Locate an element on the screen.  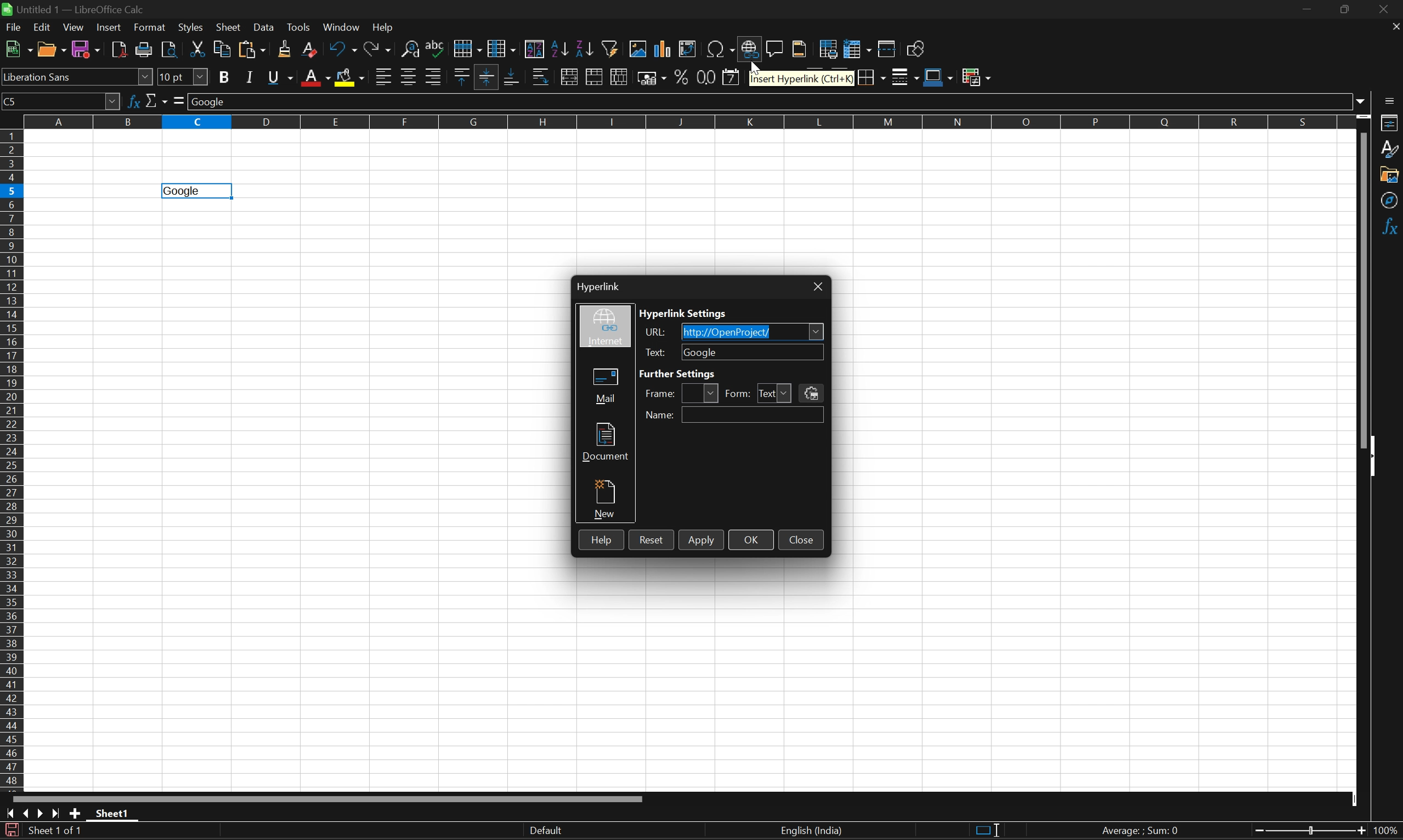
Document is located at coordinates (606, 442).